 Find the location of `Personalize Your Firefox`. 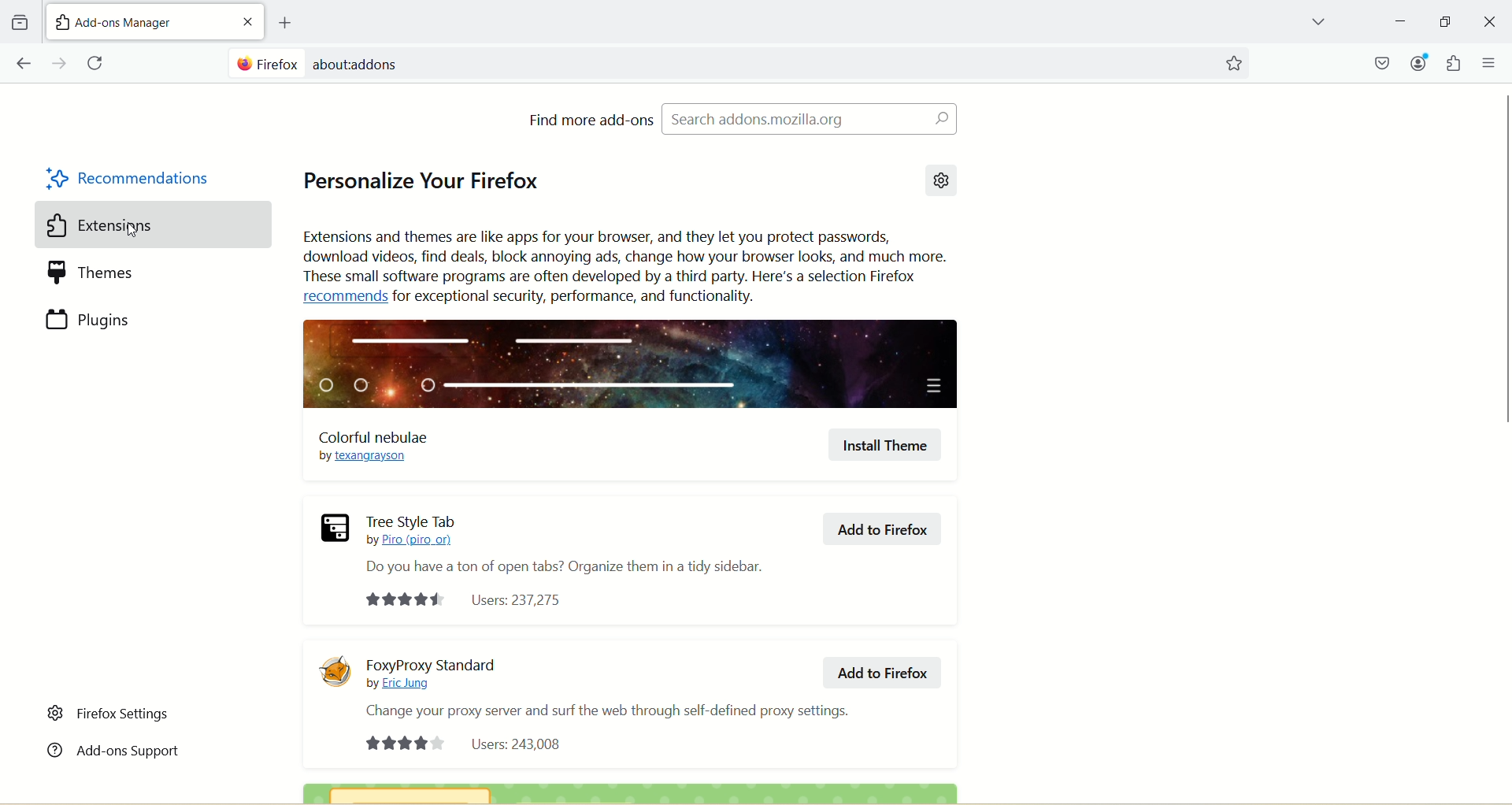

Personalize Your Firefox is located at coordinates (421, 176).